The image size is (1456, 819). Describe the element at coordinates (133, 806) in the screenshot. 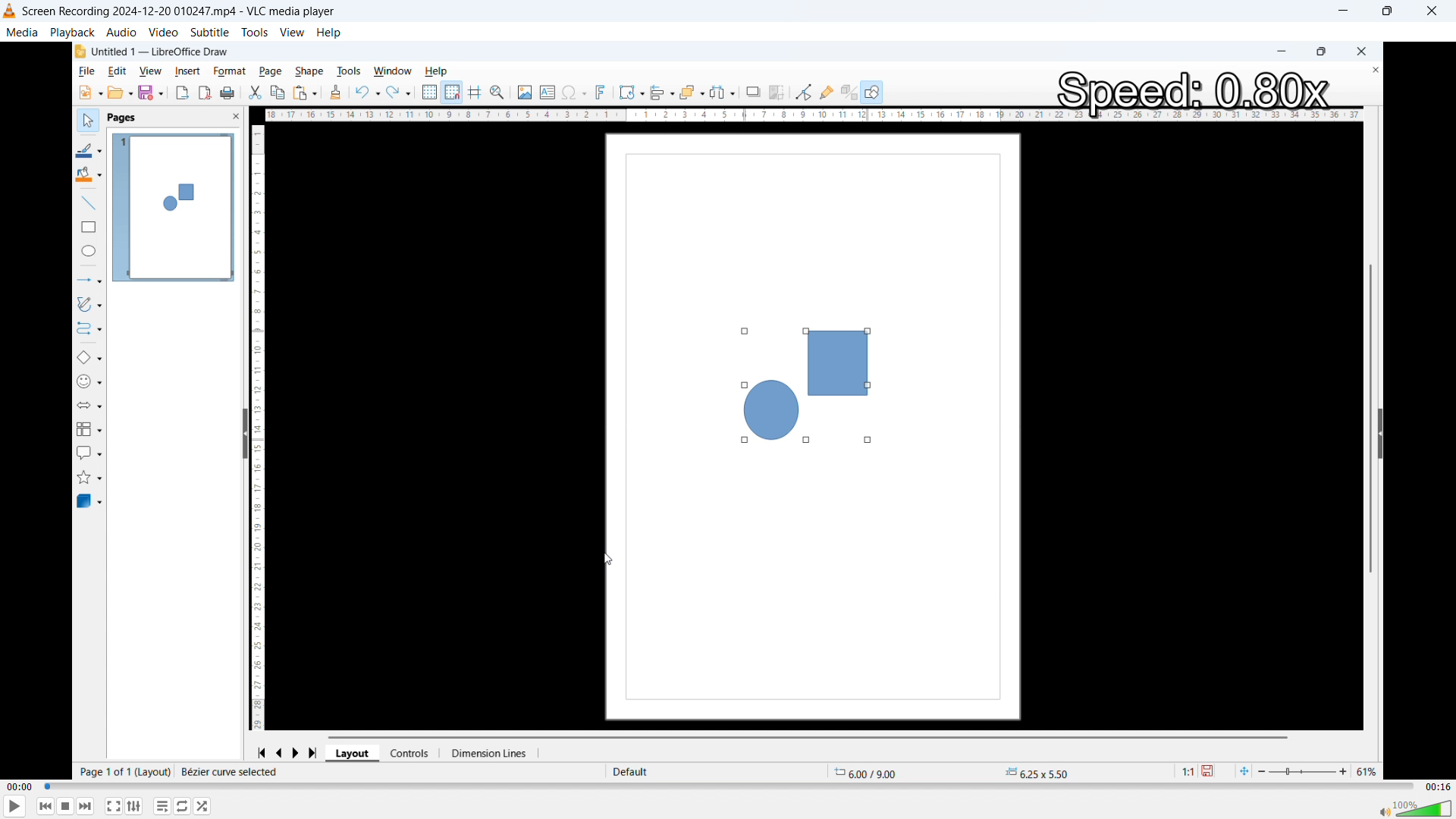

I see `Show advanced settings ` at that location.